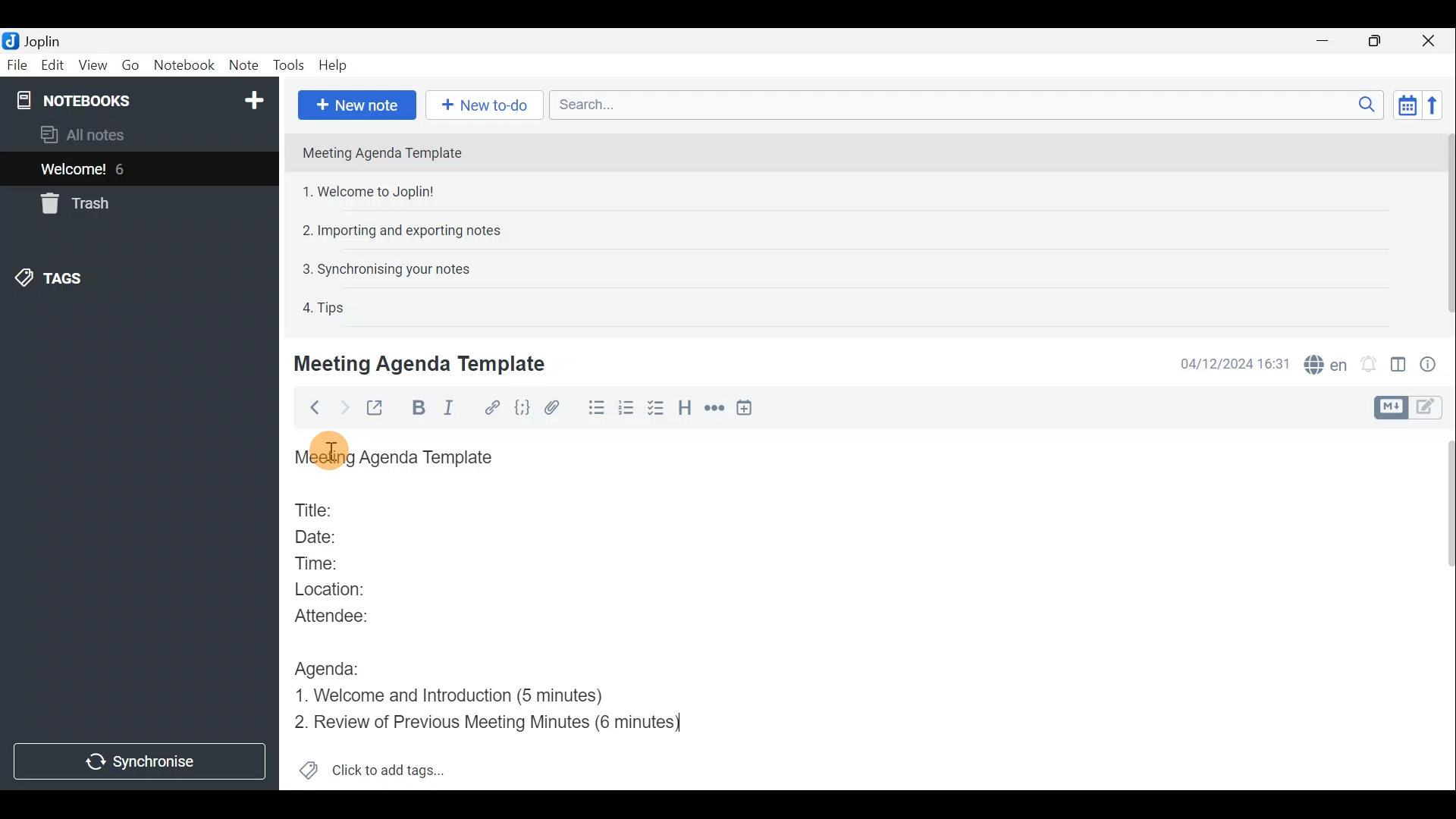 The image size is (1456, 819). Describe the element at coordinates (342, 407) in the screenshot. I see `Forward` at that location.